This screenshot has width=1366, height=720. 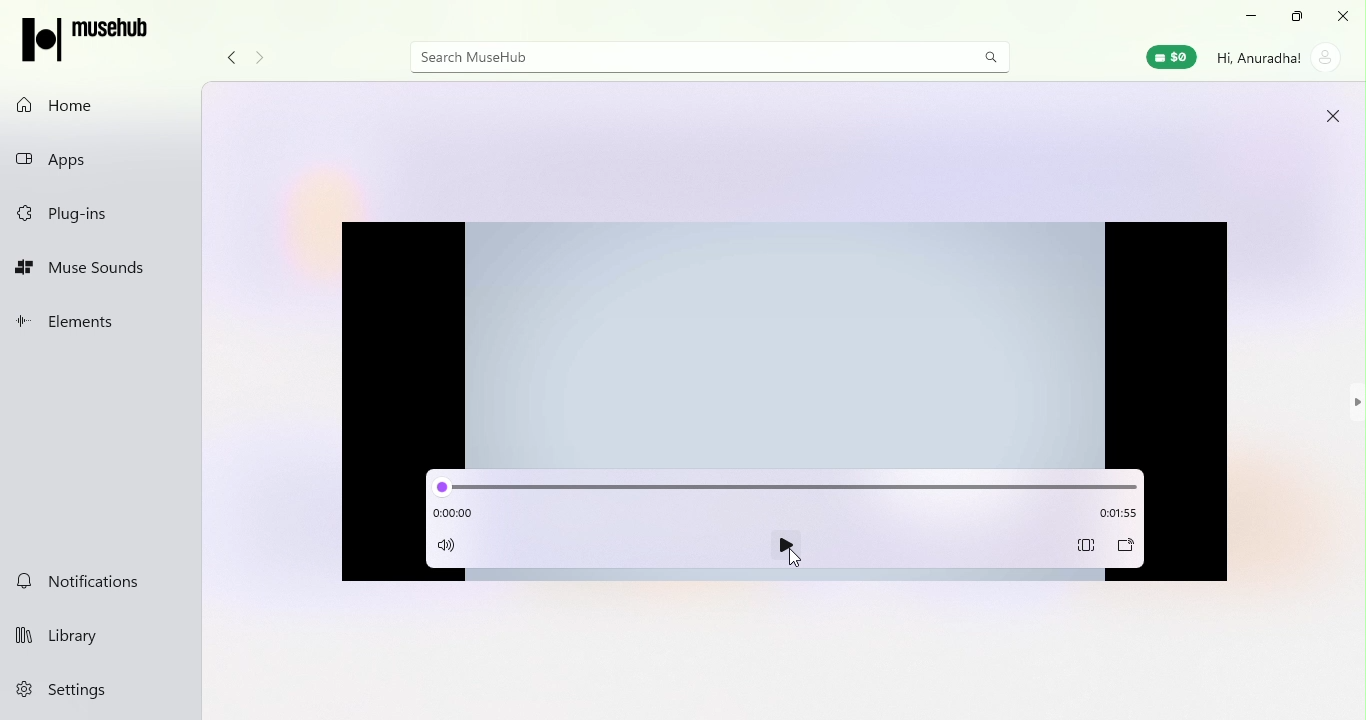 What do you see at coordinates (86, 42) in the screenshot?
I see `Musehub icon` at bounding box center [86, 42].